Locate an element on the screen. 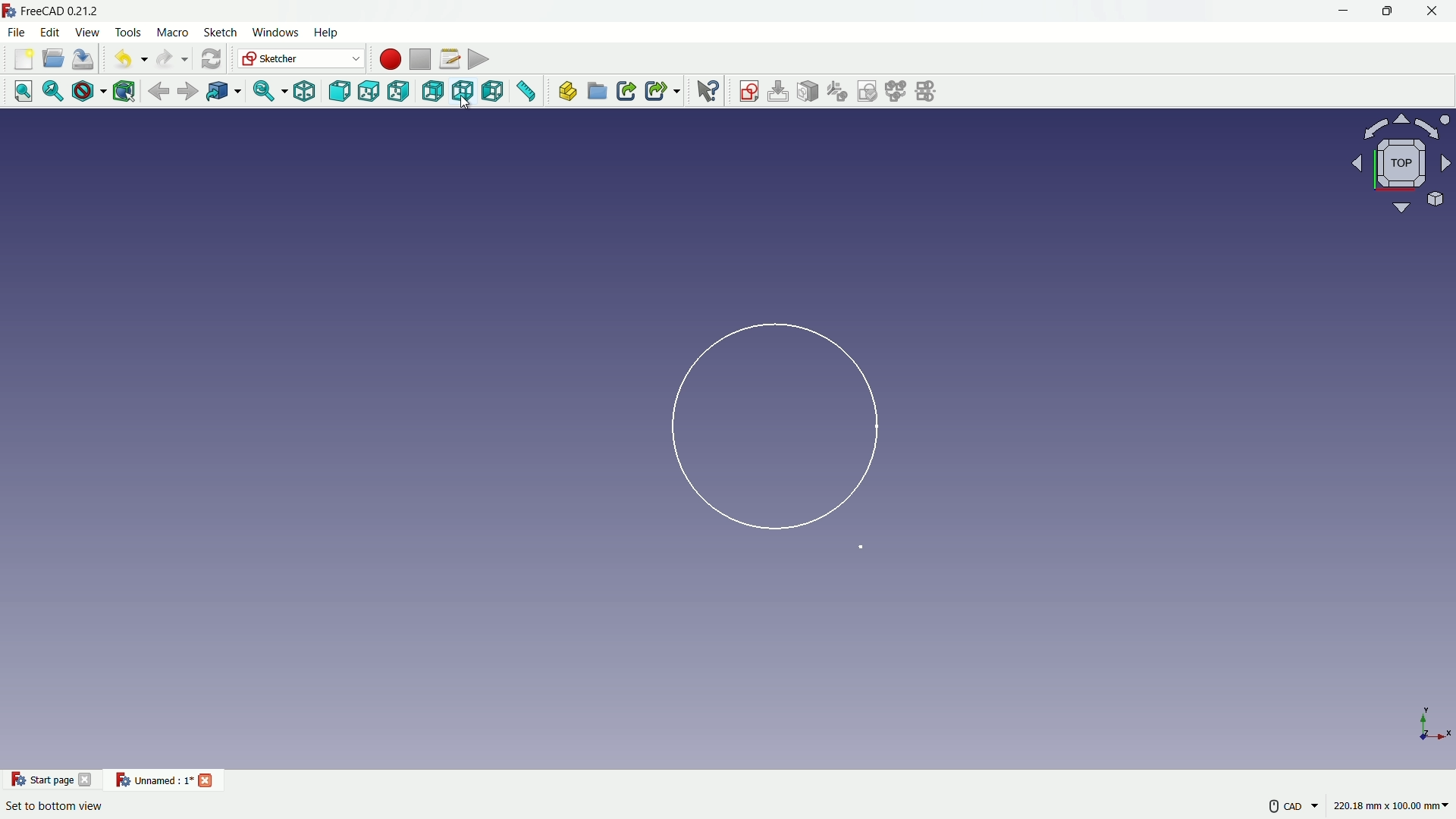  edit sketch is located at coordinates (779, 91).